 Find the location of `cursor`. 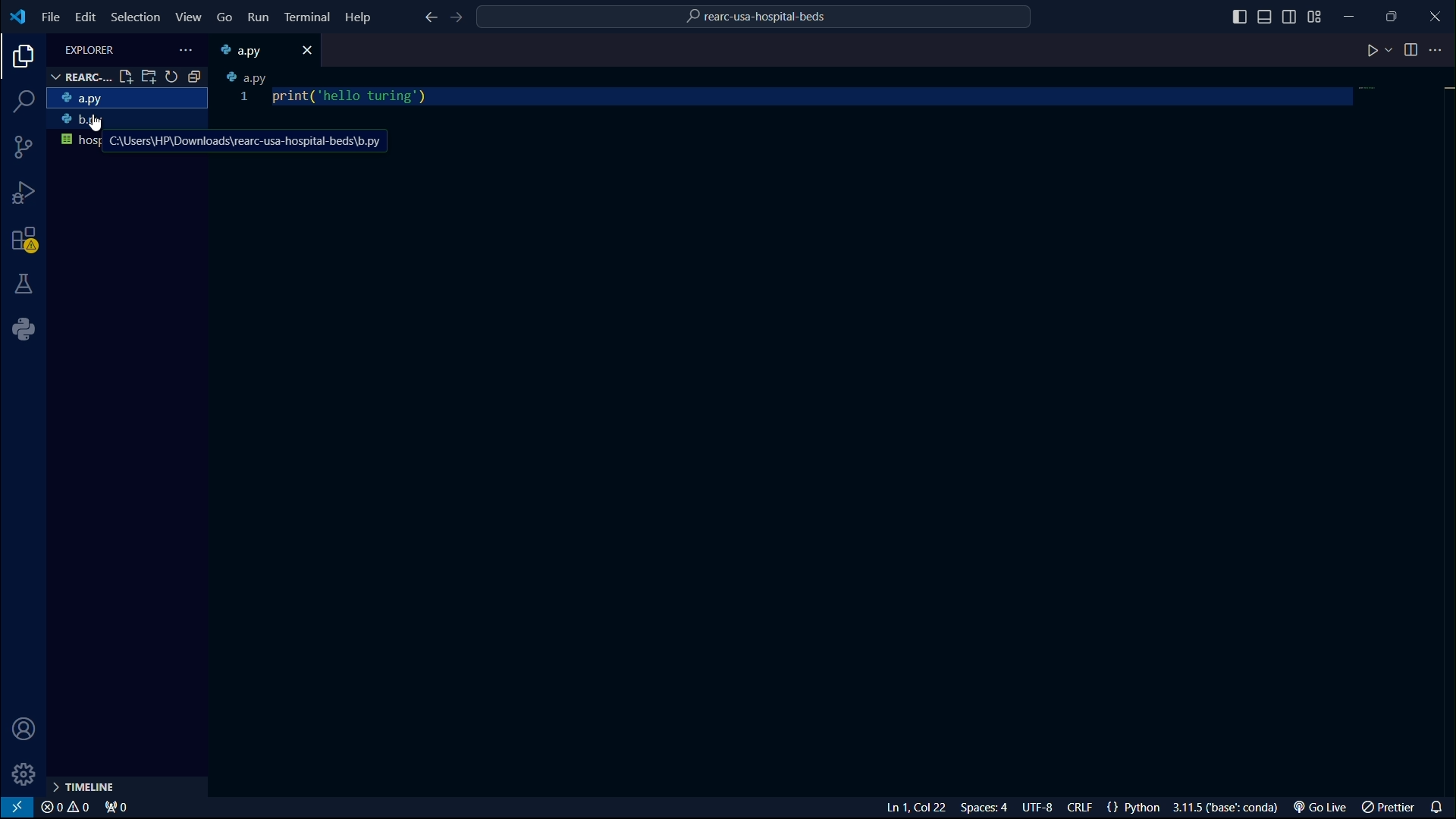

cursor is located at coordinates (94, 124).